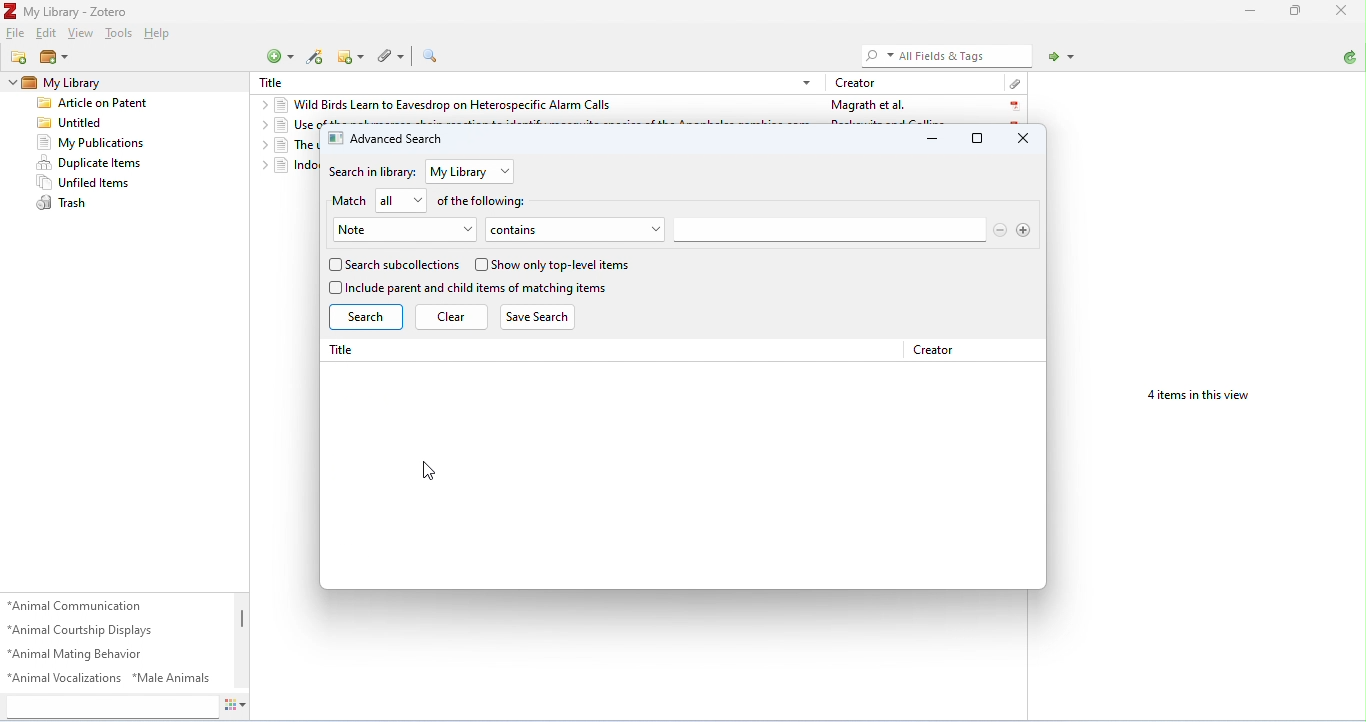 The image size is (1366, 722). What do you see at coordinates (159, 34) in the screenshot?
I see `help` at bounding box center [159, 34].